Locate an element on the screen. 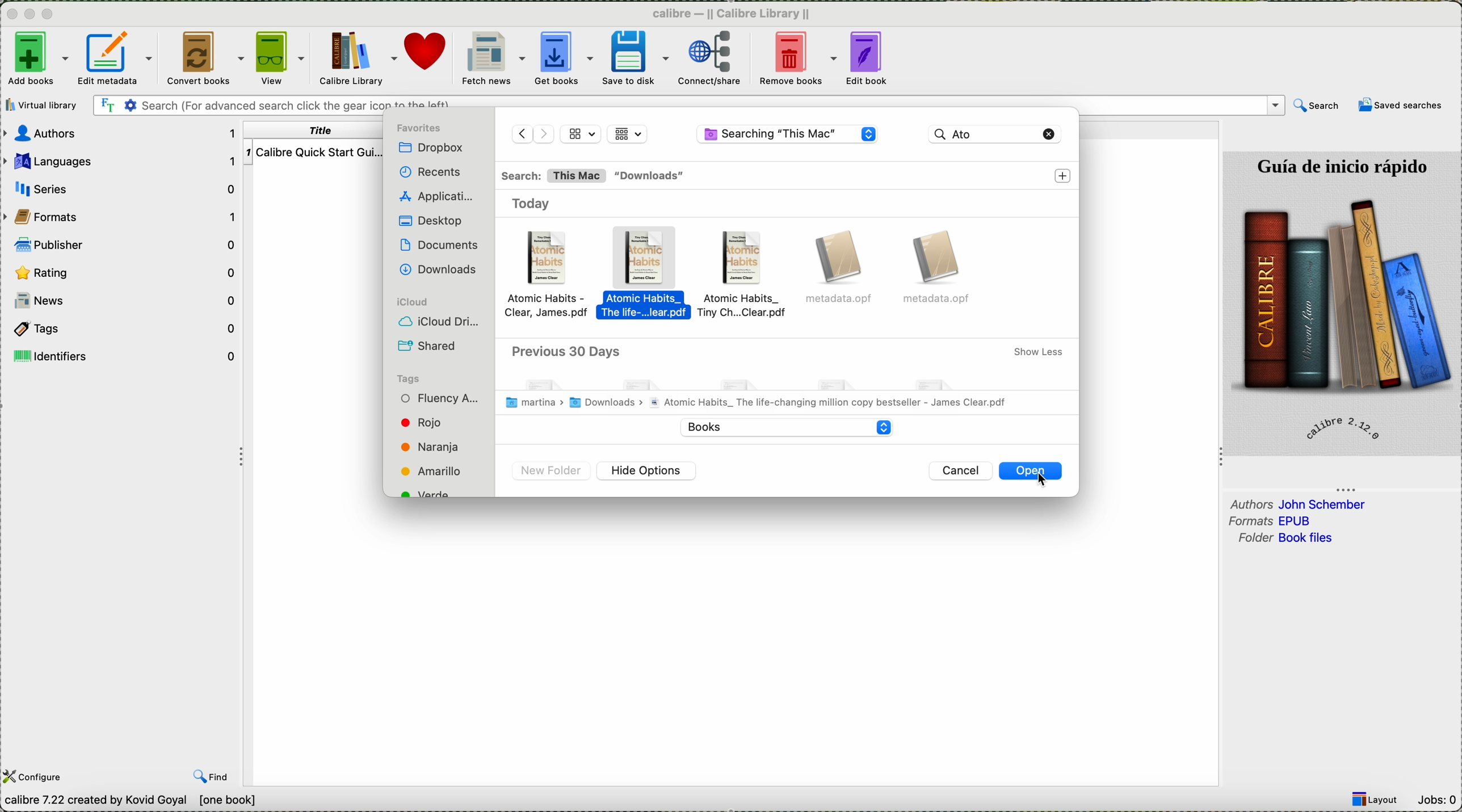  disable open button is located at coordinates (1030, 472).